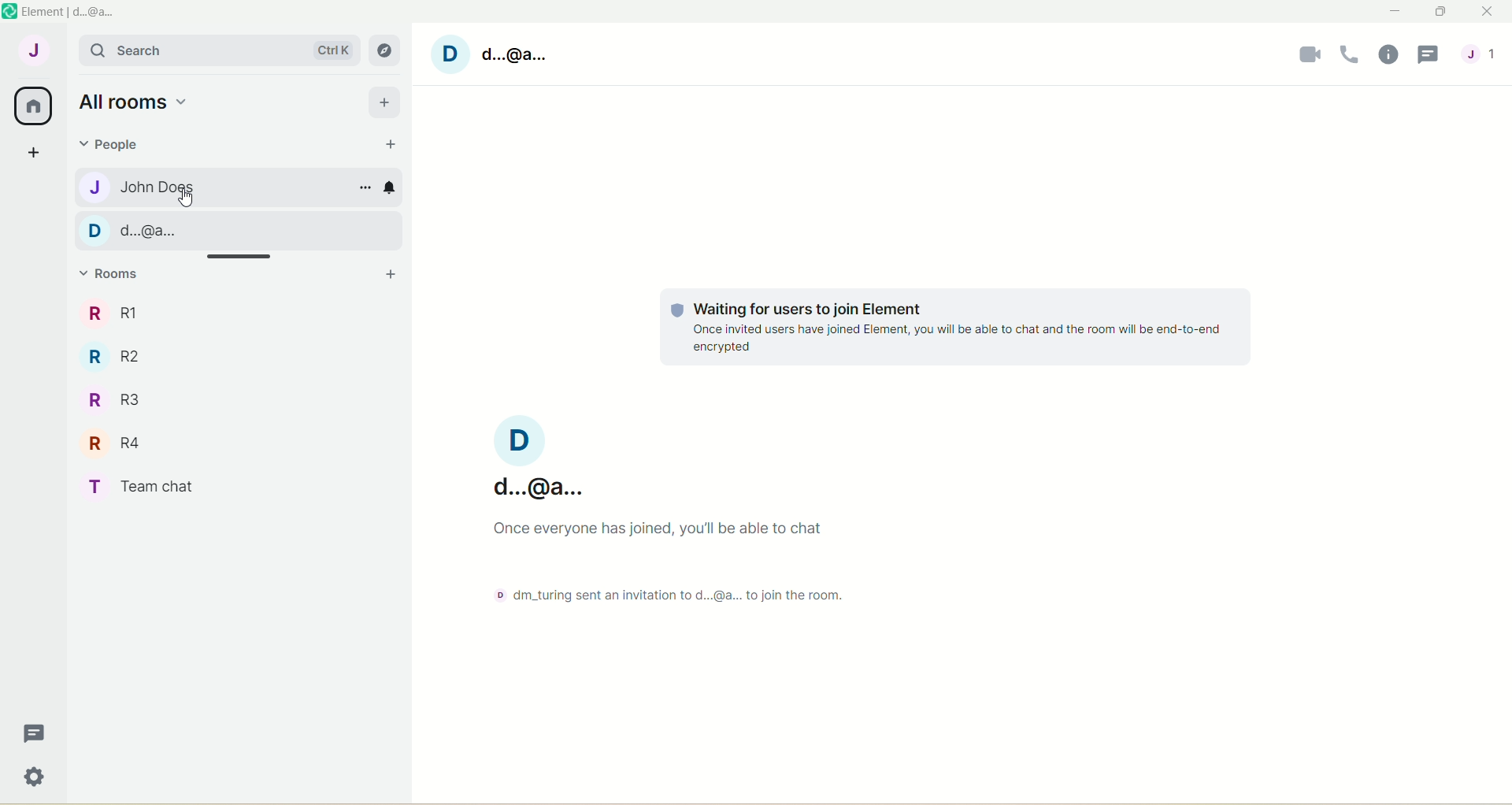 The image size is (1512, 805). Describe the element at coordinates (394, 188) in the screenshot. I see `notification options` at that location.